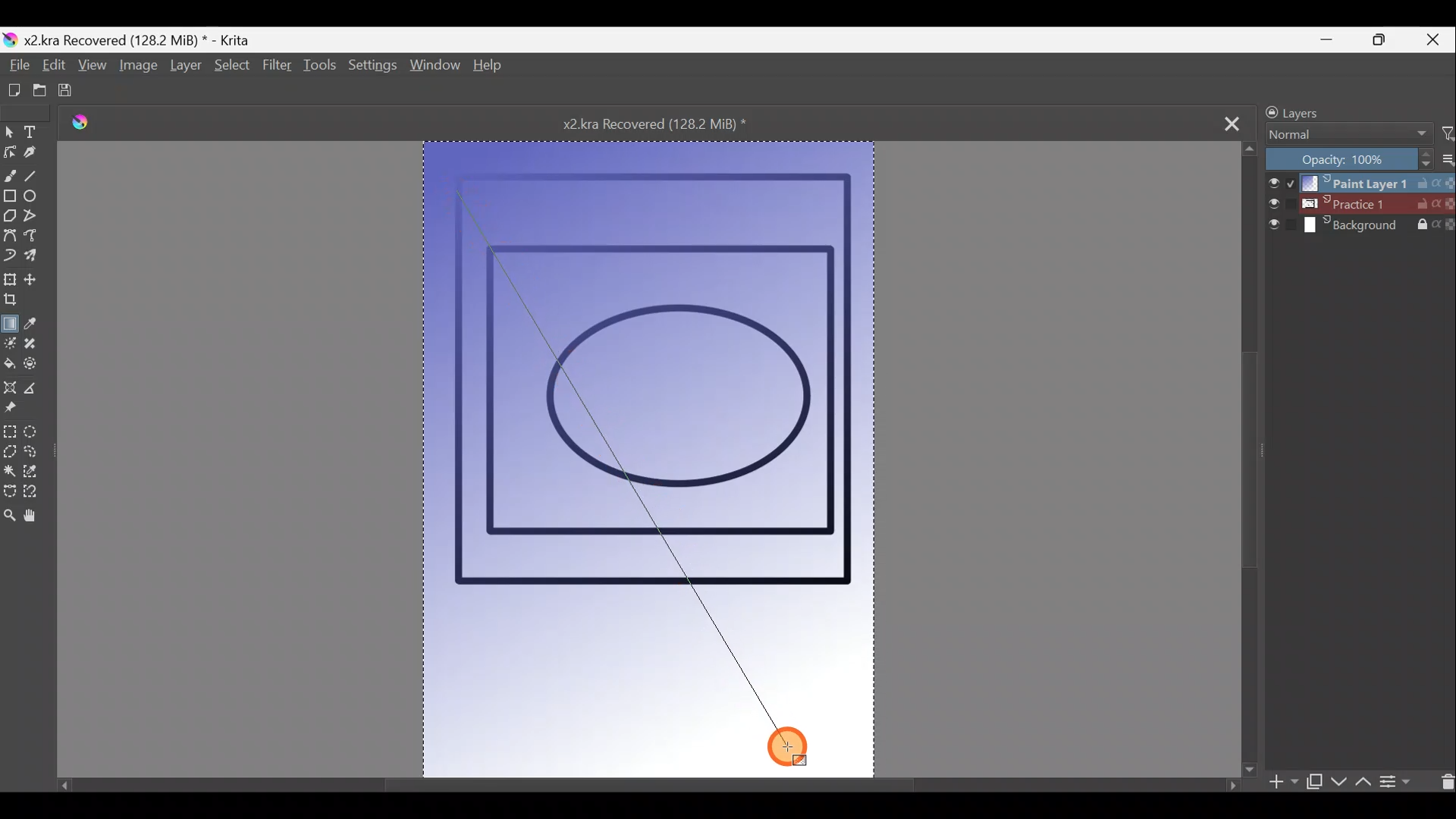  What do you see at coordinates (11, 413) in the screenshot?
I see `Reference images tool` at bounding box center [11, 413].